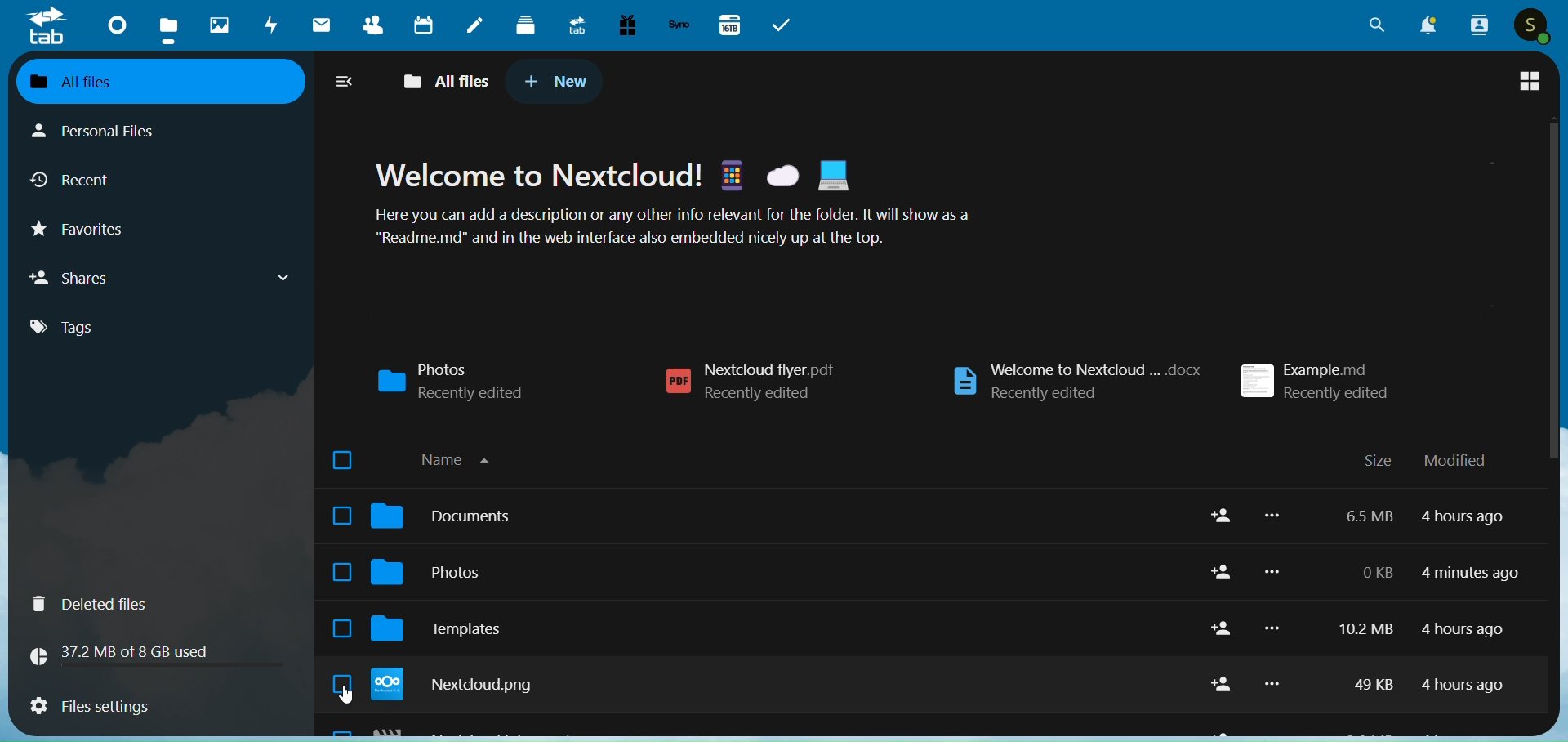  Describe the element at coordinates (782, 25) in the screenshot. I see `task` at that location.